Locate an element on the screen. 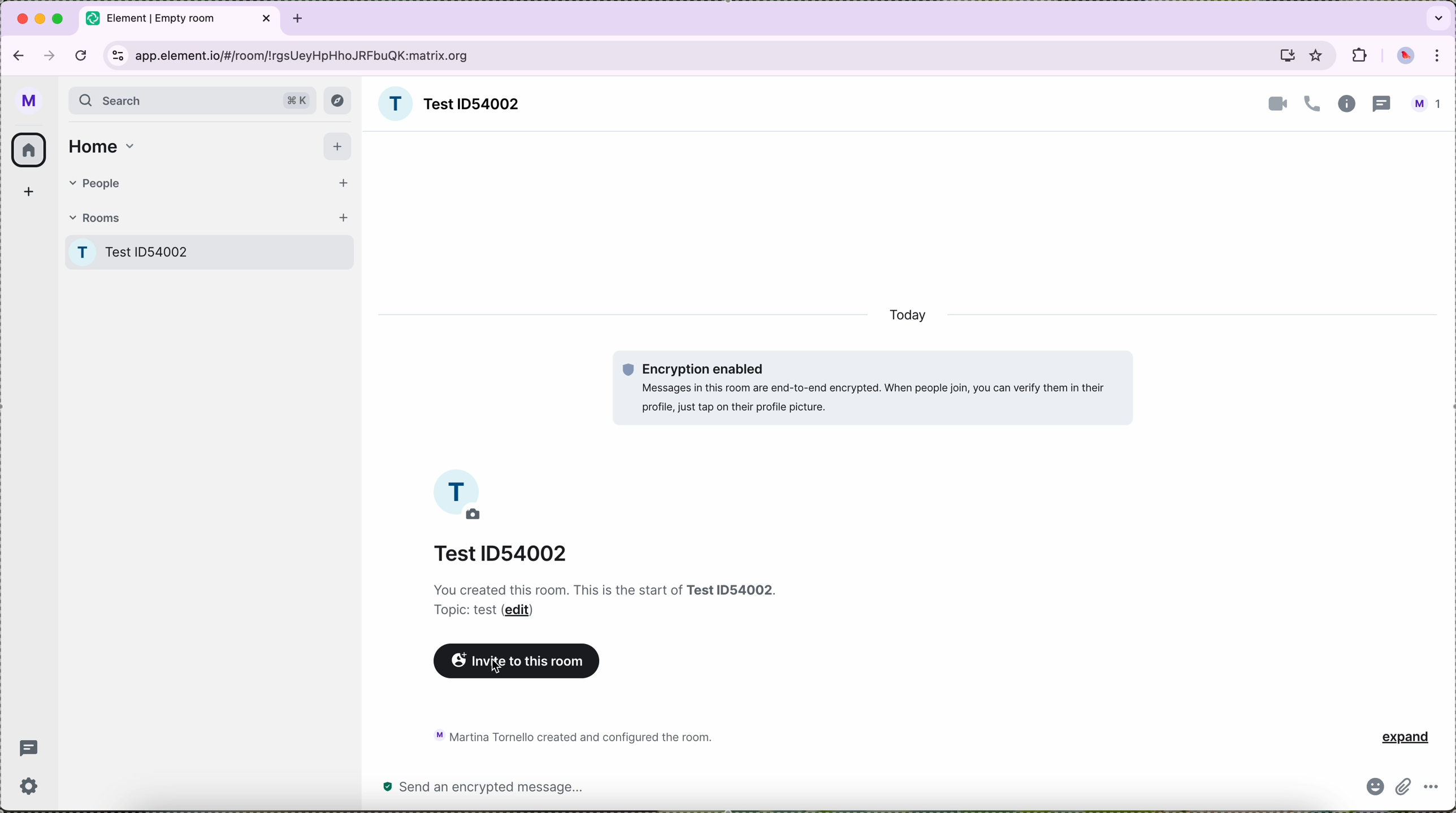  screen is located at coordinates (1285, 58).